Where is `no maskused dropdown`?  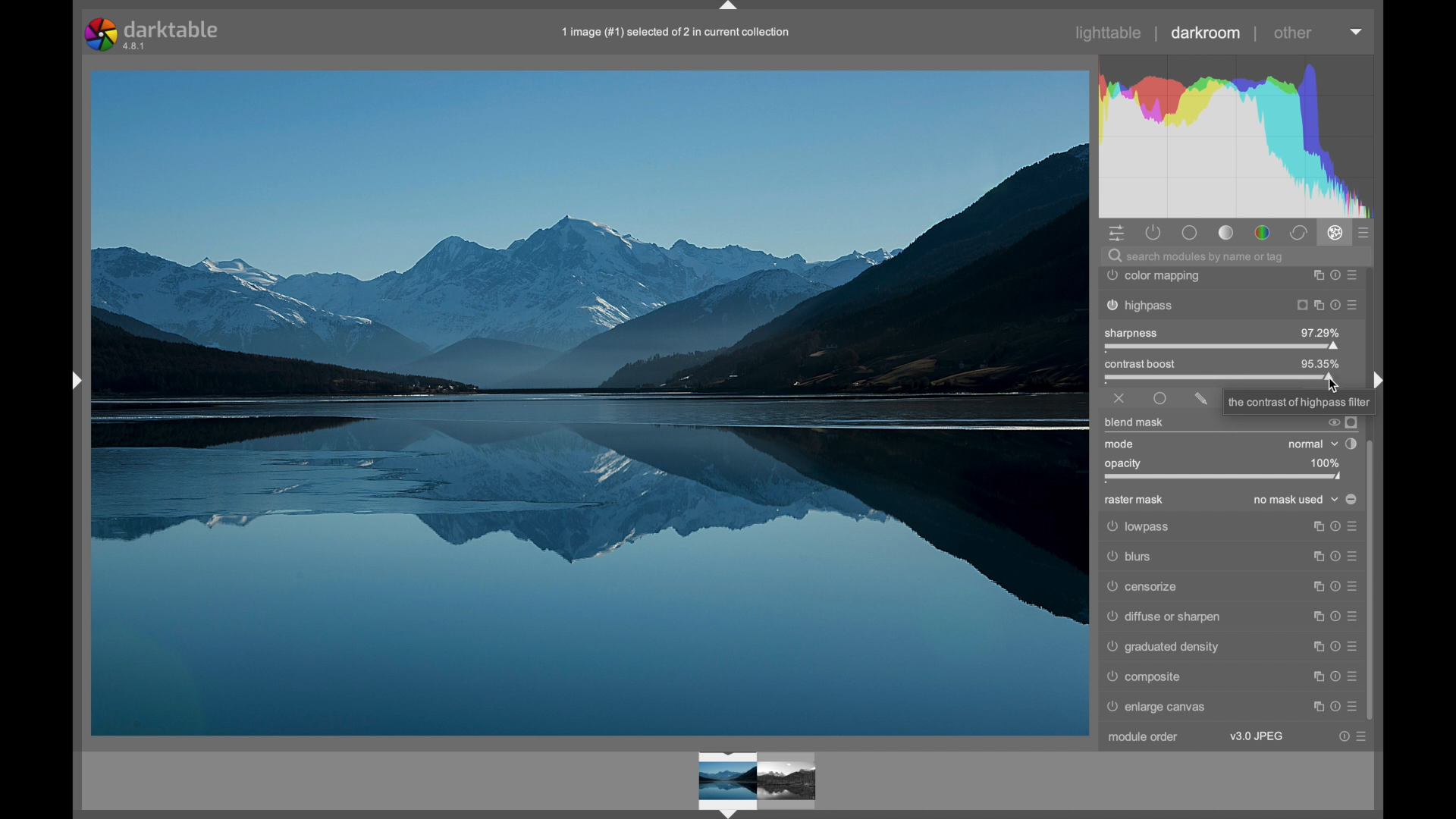
no maskused dropdown is located at coordinates (1297, 500).